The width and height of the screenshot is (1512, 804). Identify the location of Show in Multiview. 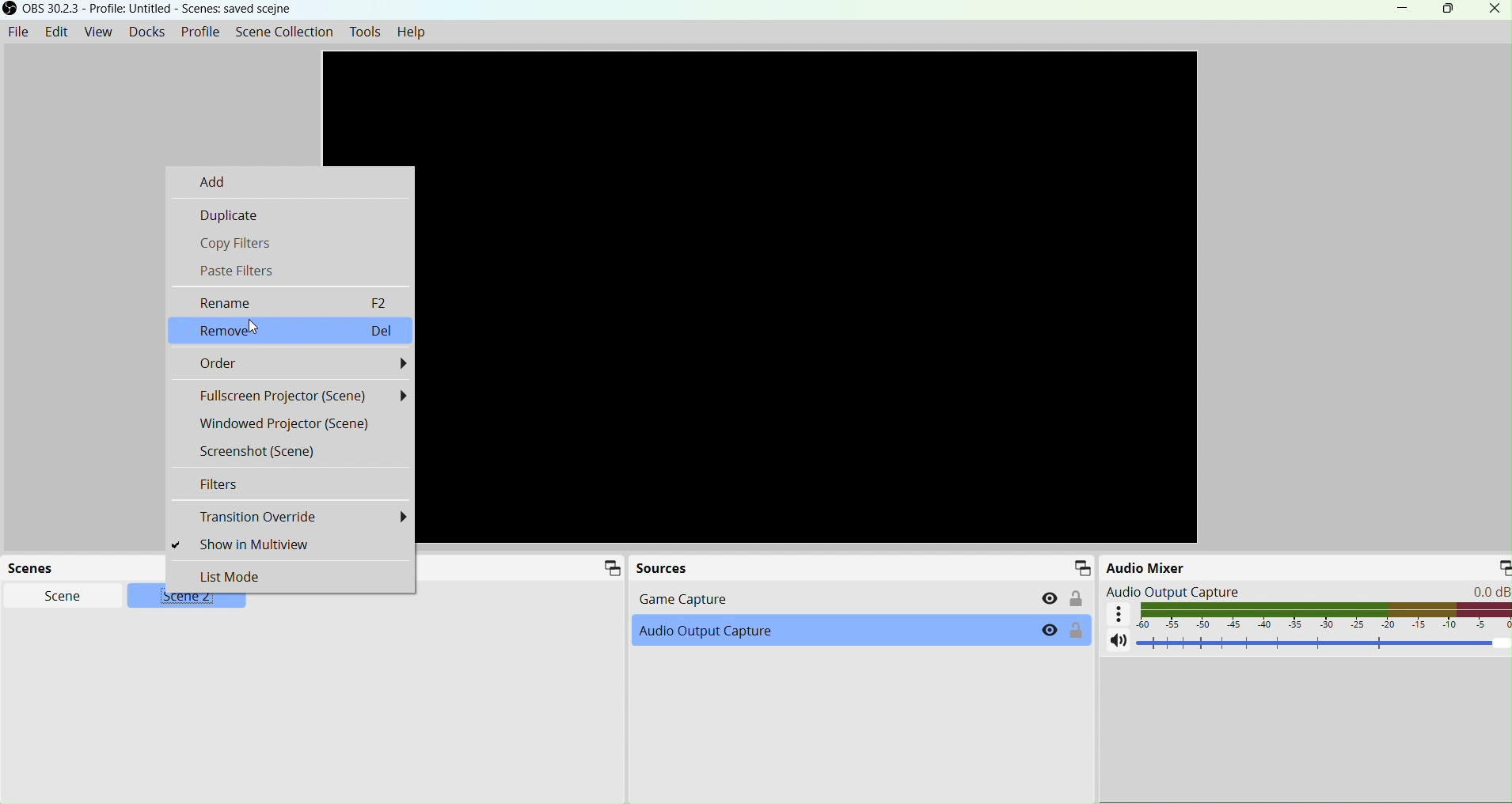
(291, 545).